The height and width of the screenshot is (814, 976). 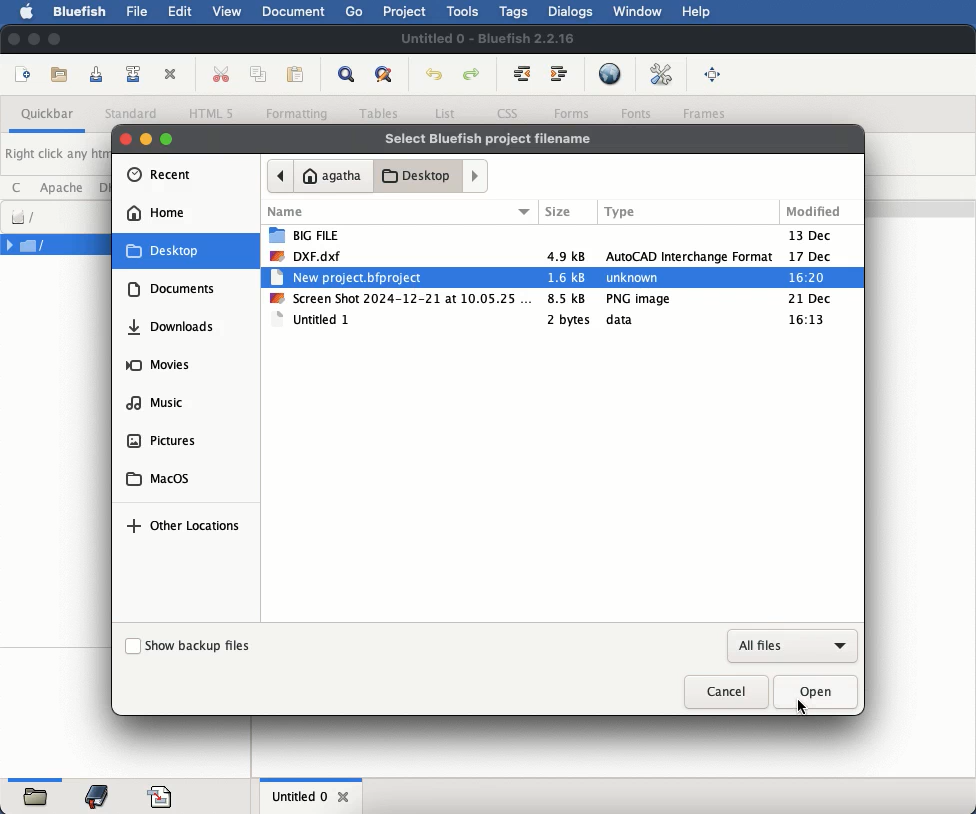 What do you see at coordinates (297, 799) in the screenshot?
I see `untitled 0` at bounding box center [297, 799].